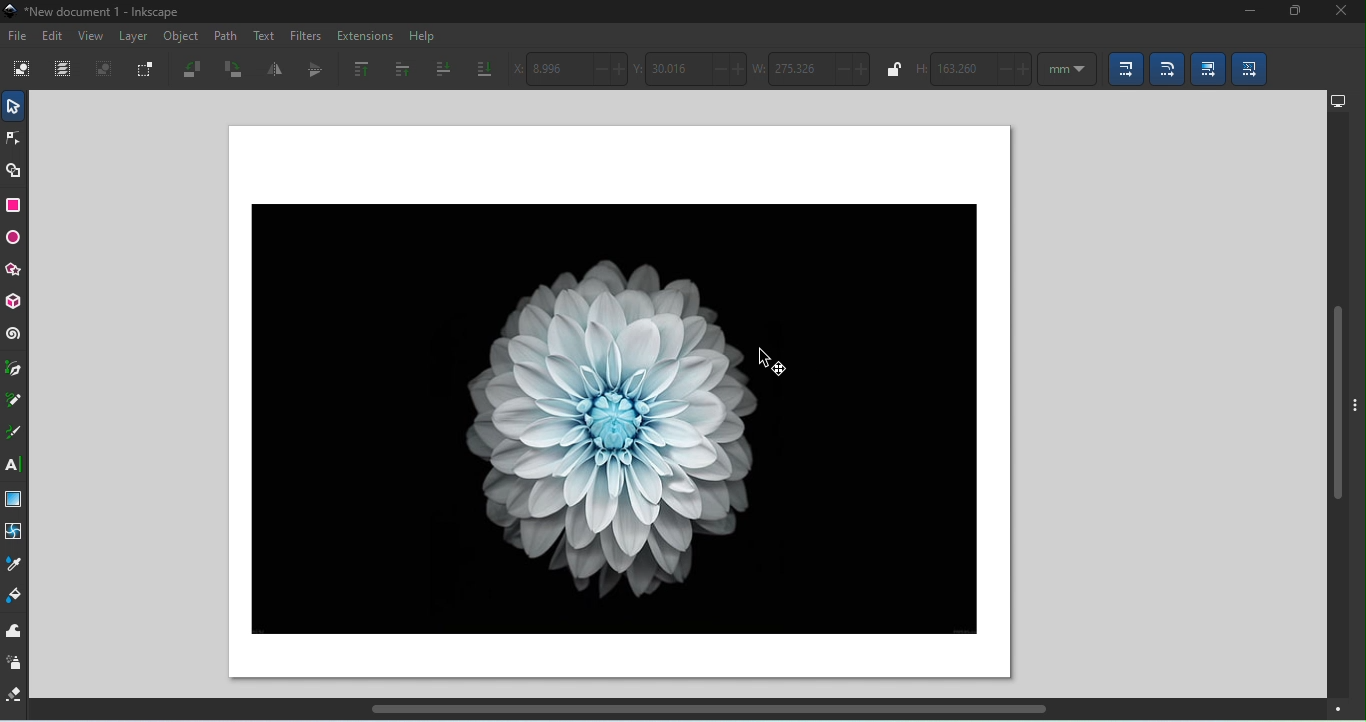 This screenshot has height=722, width=1366. Describe the element at coordinates (265, 37) in the screenshot. I see `Text` at that location.